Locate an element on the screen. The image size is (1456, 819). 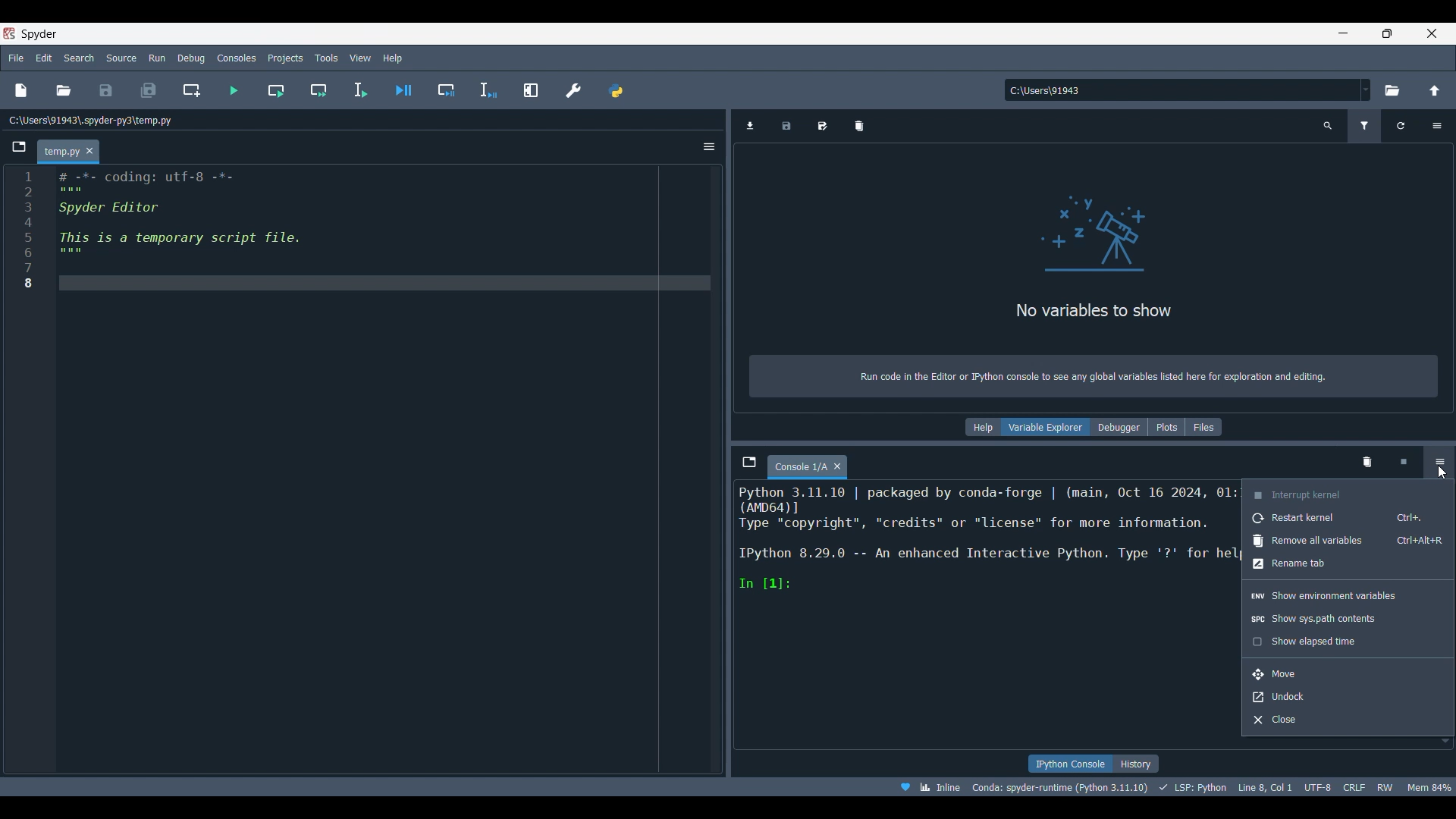
Run current cell is located at coordinates (276, 89).